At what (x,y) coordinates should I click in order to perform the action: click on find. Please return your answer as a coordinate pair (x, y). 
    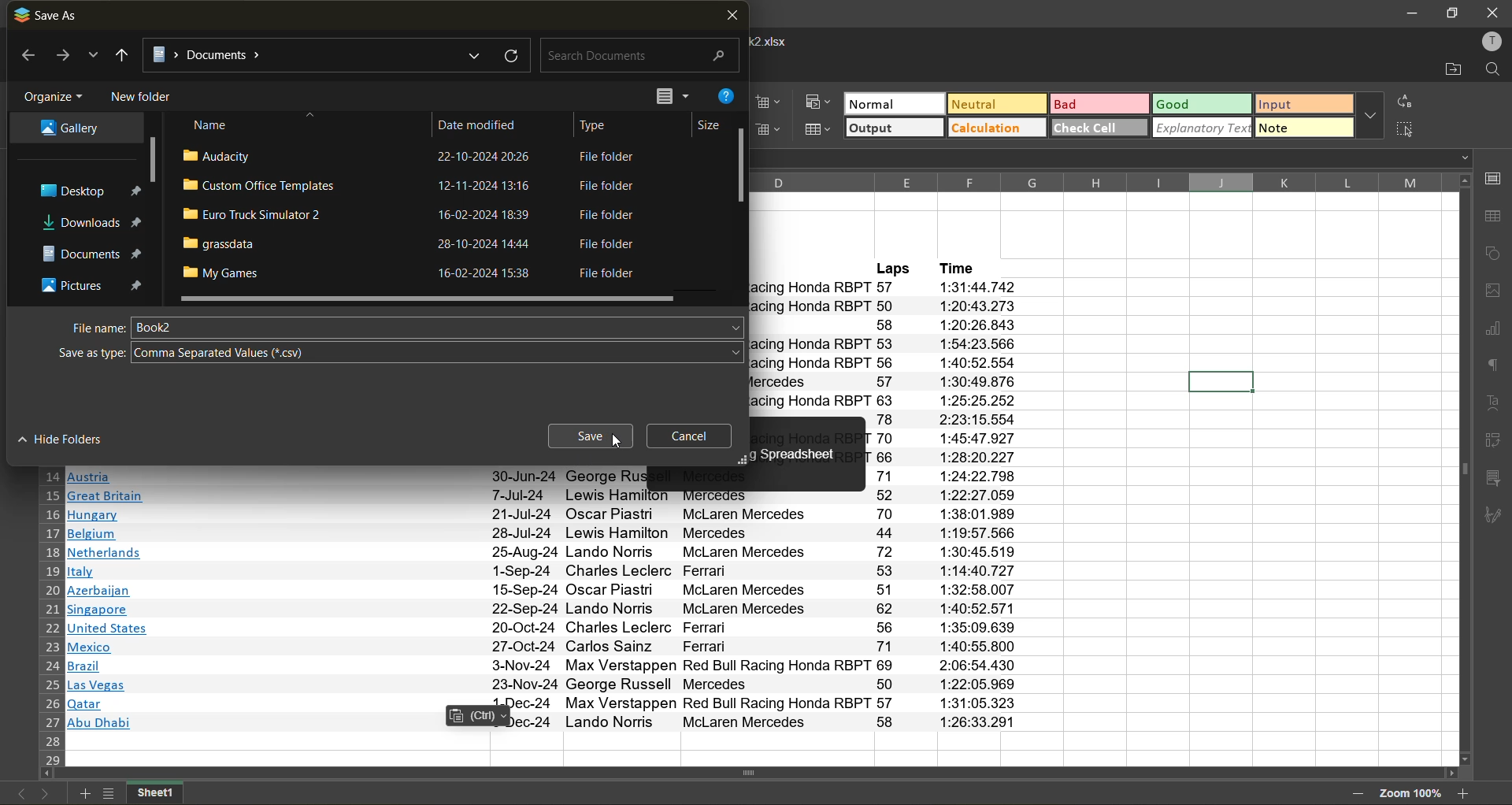
    Looking at the image, I should click on (1494, 70).